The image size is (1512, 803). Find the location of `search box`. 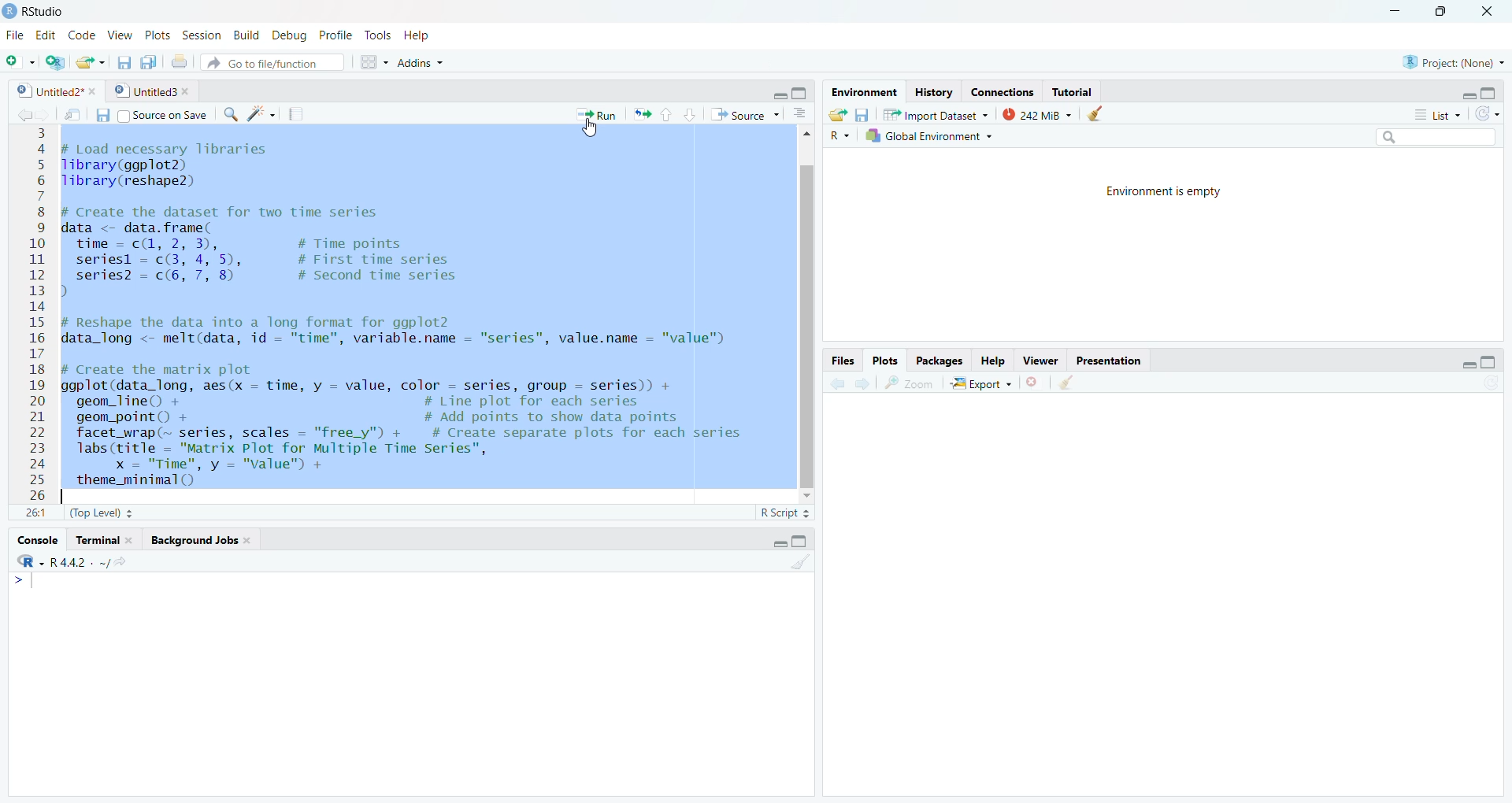

search box is located at coordinates (1434, 136).